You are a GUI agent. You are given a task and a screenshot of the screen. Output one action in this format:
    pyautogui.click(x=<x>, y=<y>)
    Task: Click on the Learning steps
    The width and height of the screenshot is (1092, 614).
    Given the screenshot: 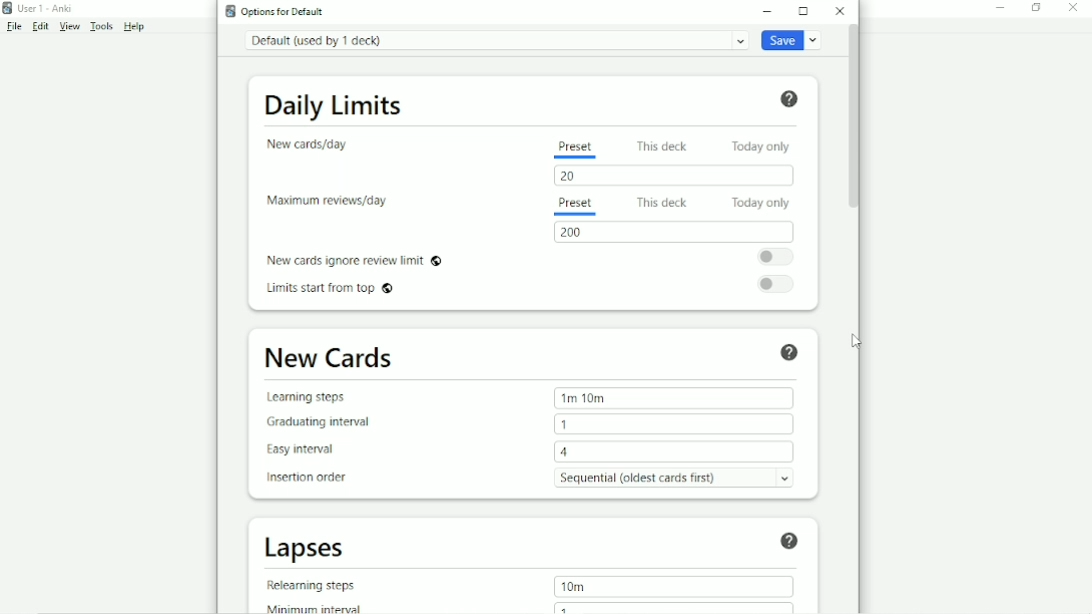 What is the action you would take?
    pyautogui.click(x=332, y=397)
    